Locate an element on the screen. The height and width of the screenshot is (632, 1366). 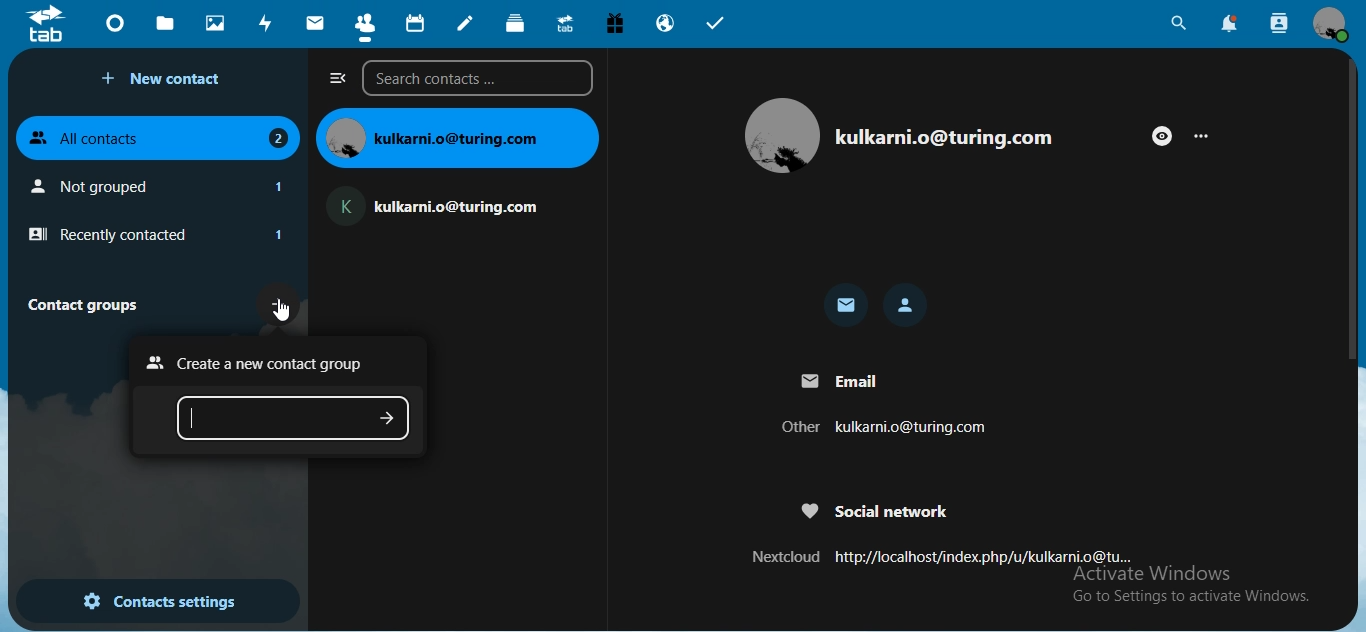
search contact is located at coordinates (1280, 24).